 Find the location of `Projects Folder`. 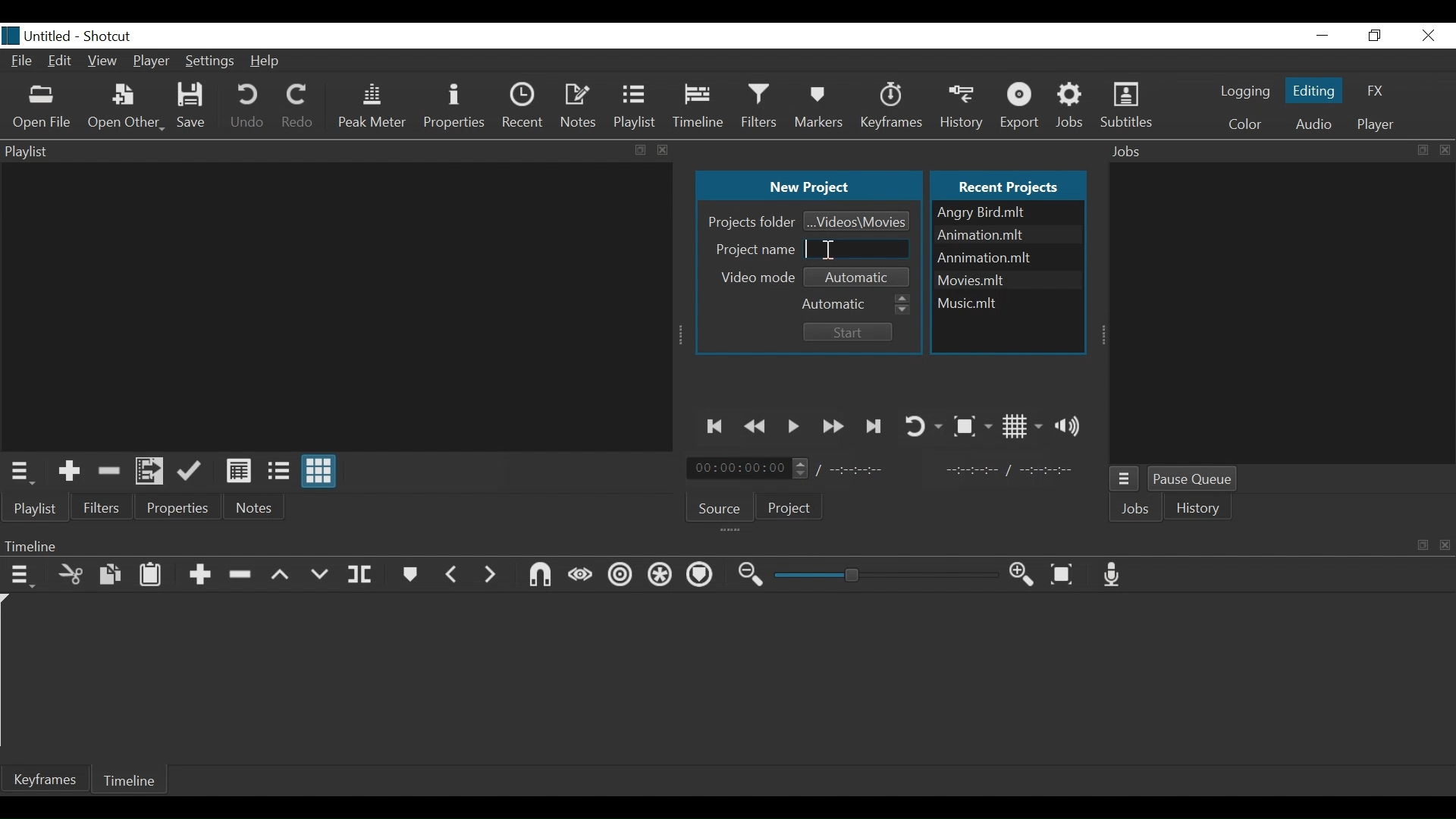

Projects Folder is located at coordinates (749, 221).